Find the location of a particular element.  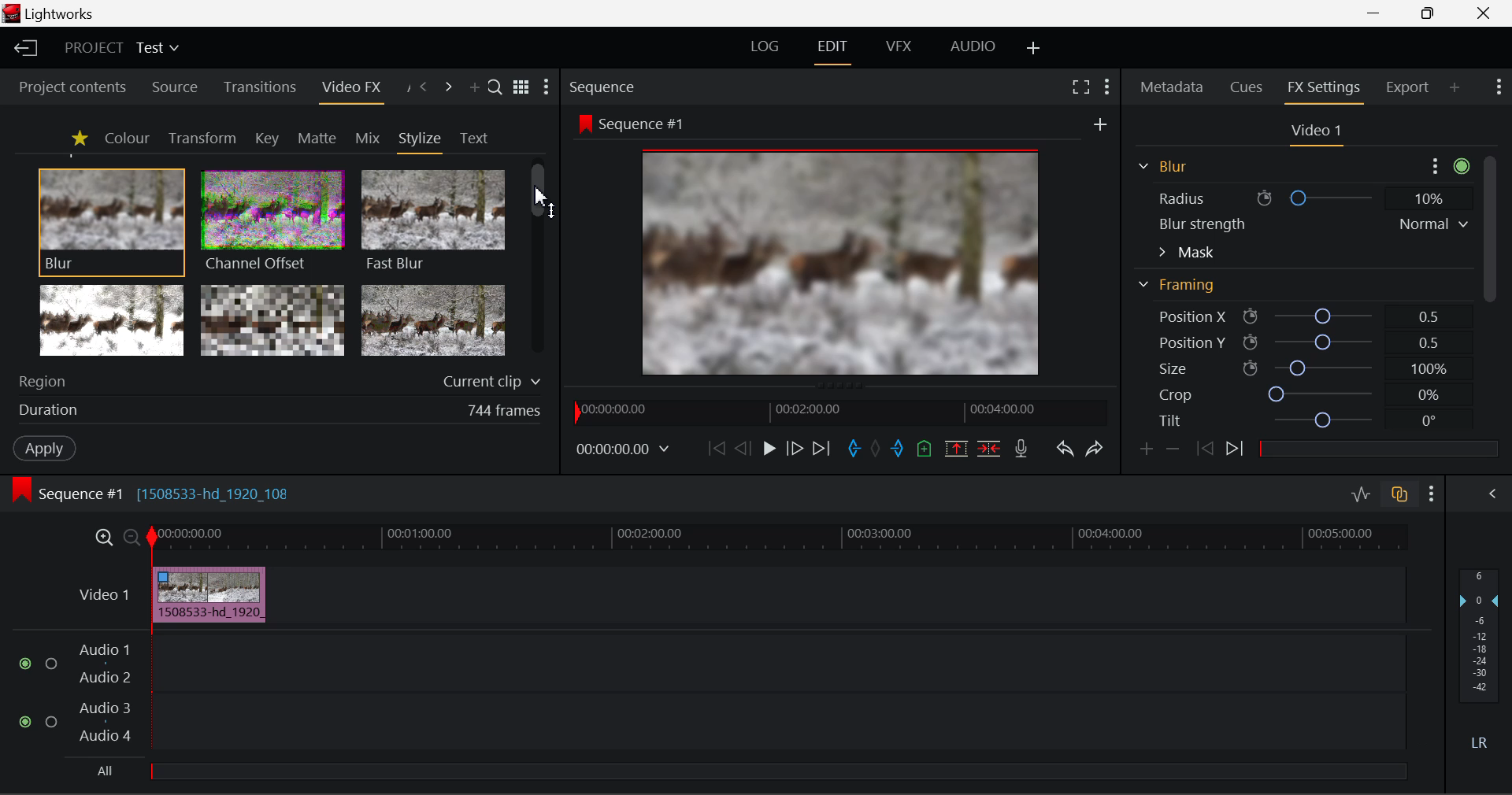

Edit Layout Open is located at coordinates (836, 49).